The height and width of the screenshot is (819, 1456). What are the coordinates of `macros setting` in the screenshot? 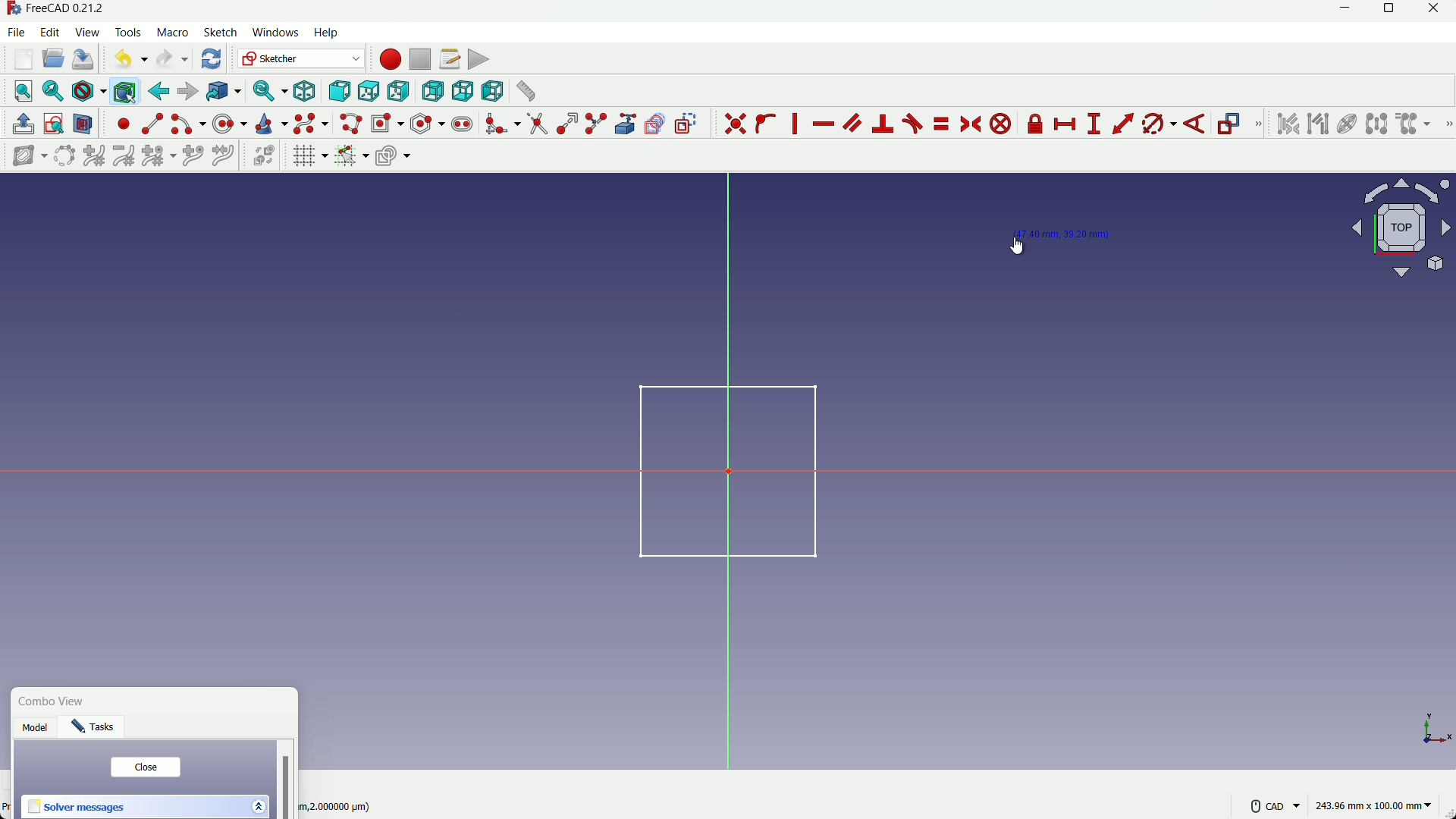 It's located at (449, 59).